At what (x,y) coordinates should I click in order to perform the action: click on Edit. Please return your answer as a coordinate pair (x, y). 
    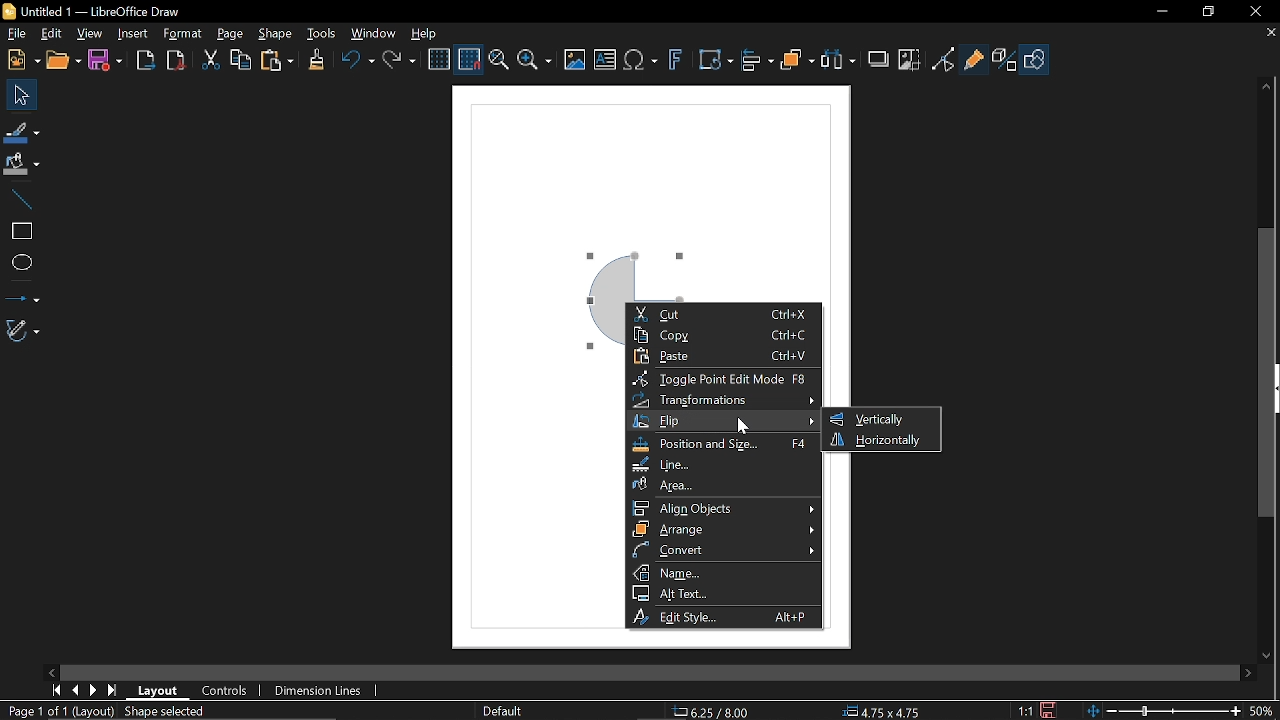
    Looking at the image, I should click on (48, 35).